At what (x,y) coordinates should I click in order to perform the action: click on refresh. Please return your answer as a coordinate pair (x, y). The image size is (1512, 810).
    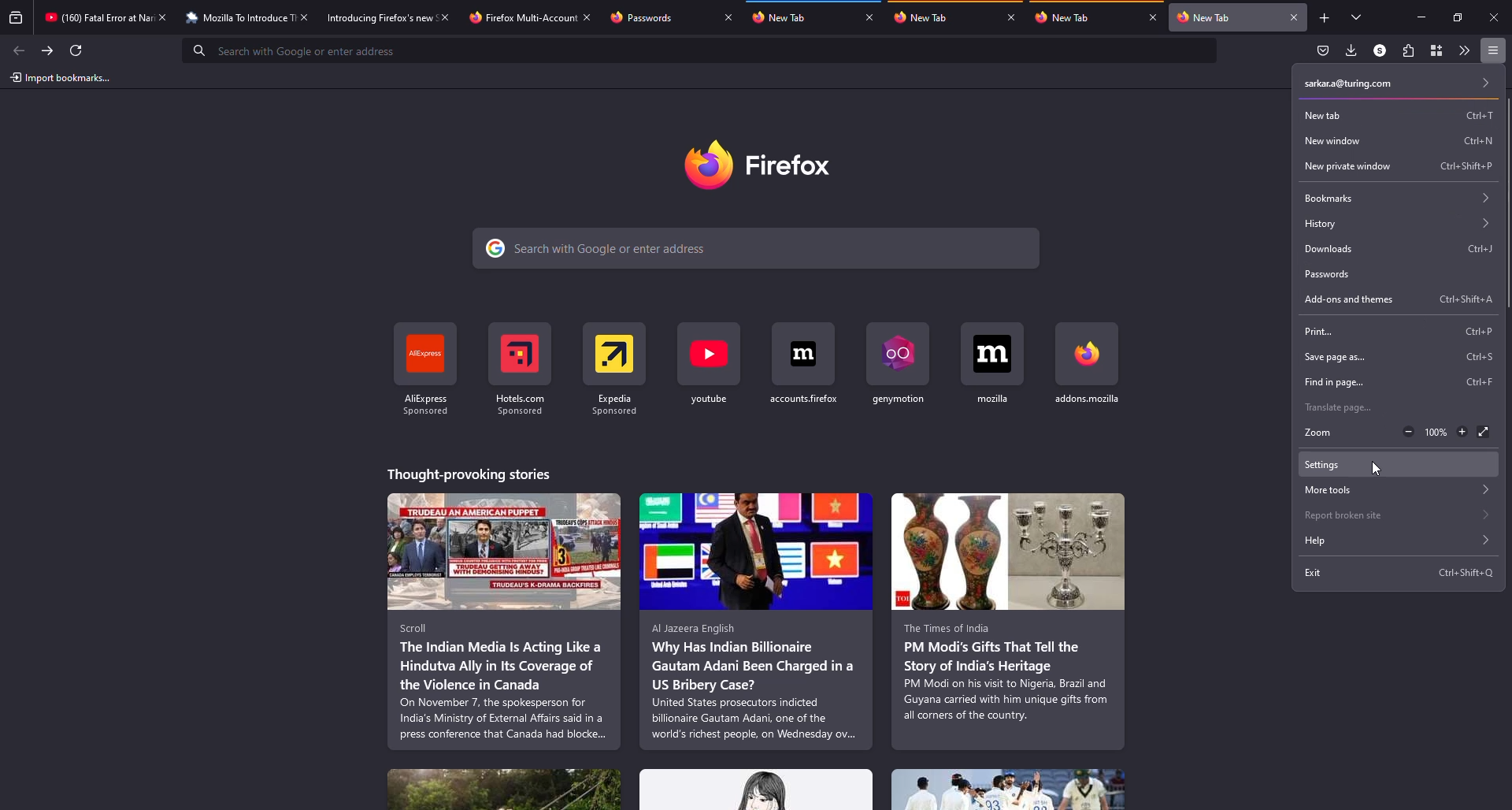
    Looking at the image, I should click on (79, 50).